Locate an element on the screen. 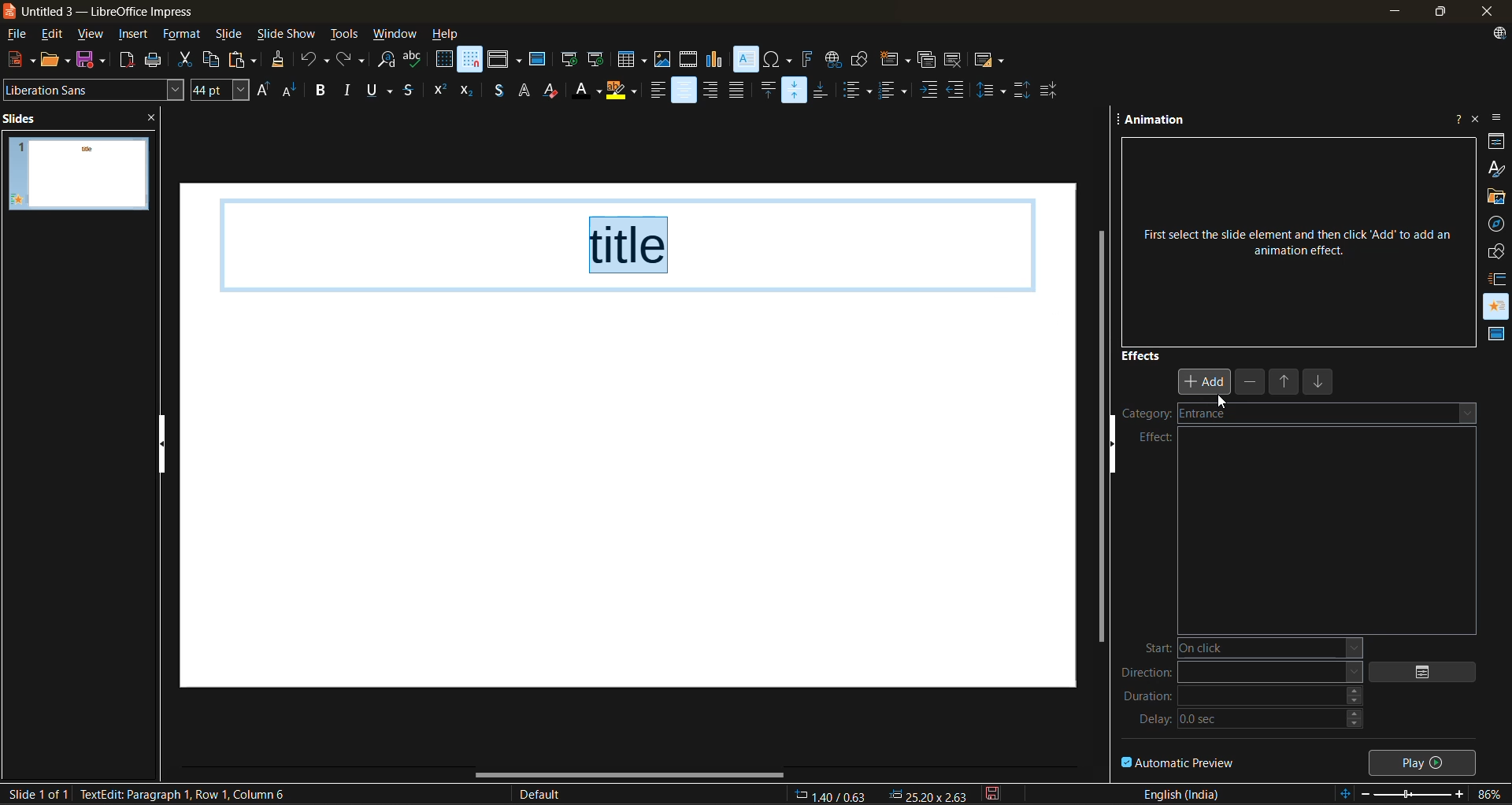  start from current slide is located at coordinates (595, 59).